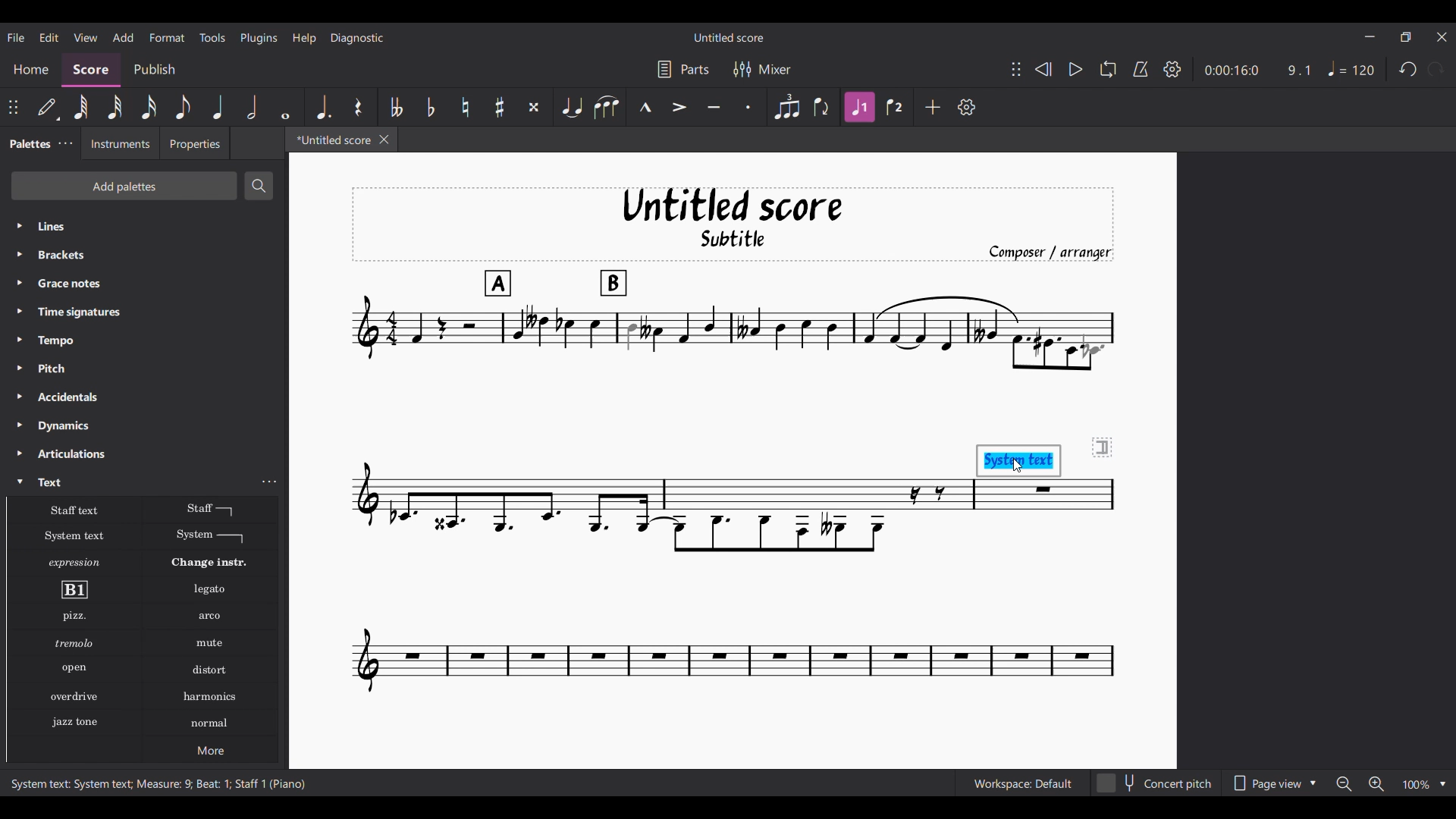 The image size is (1456, 819). Describe the element at coordinates (212, 37) in the screenshot. I see `Tools menu` at that location.